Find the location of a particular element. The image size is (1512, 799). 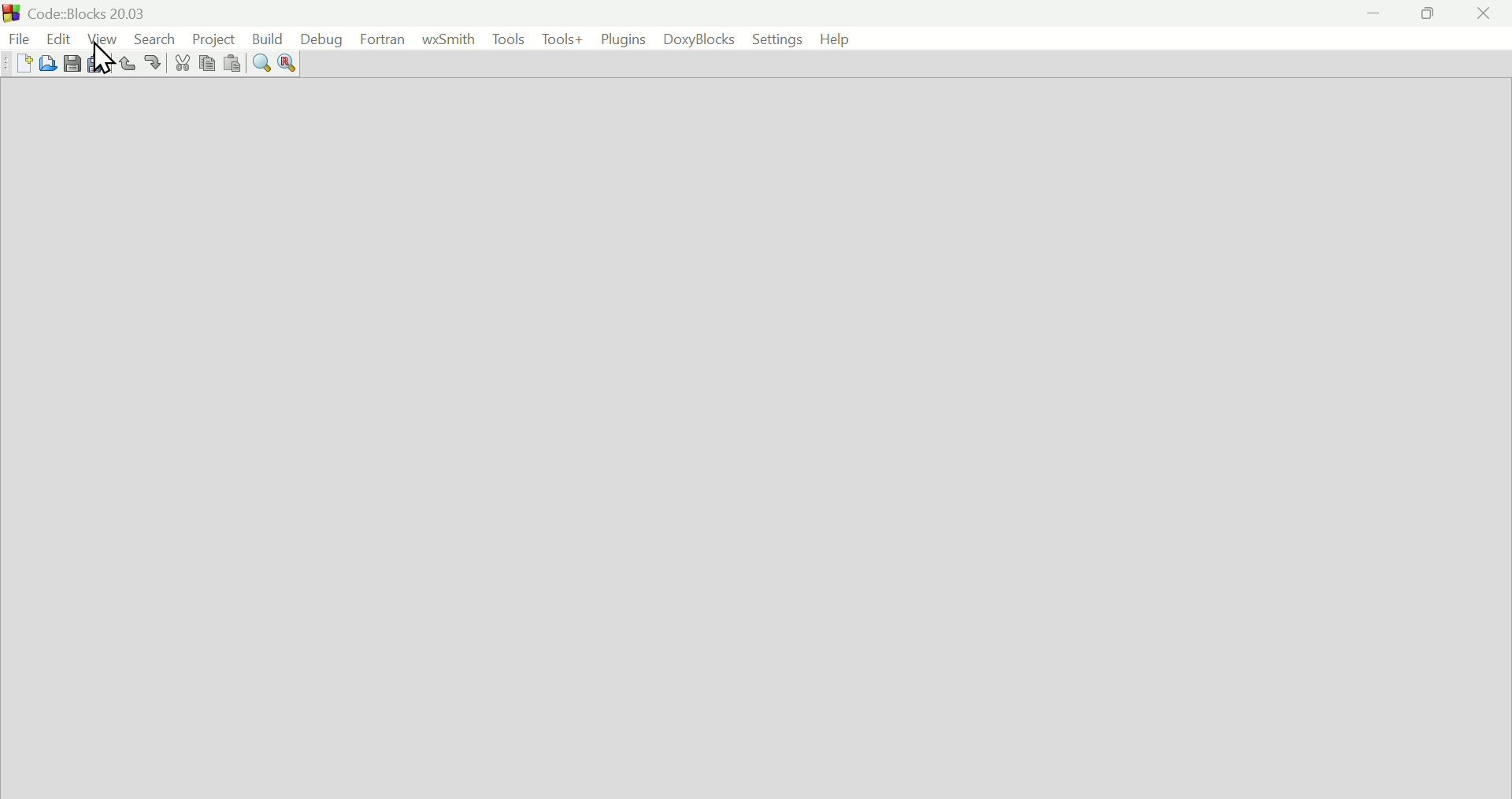

Copy is located at coordinates (204, 65).